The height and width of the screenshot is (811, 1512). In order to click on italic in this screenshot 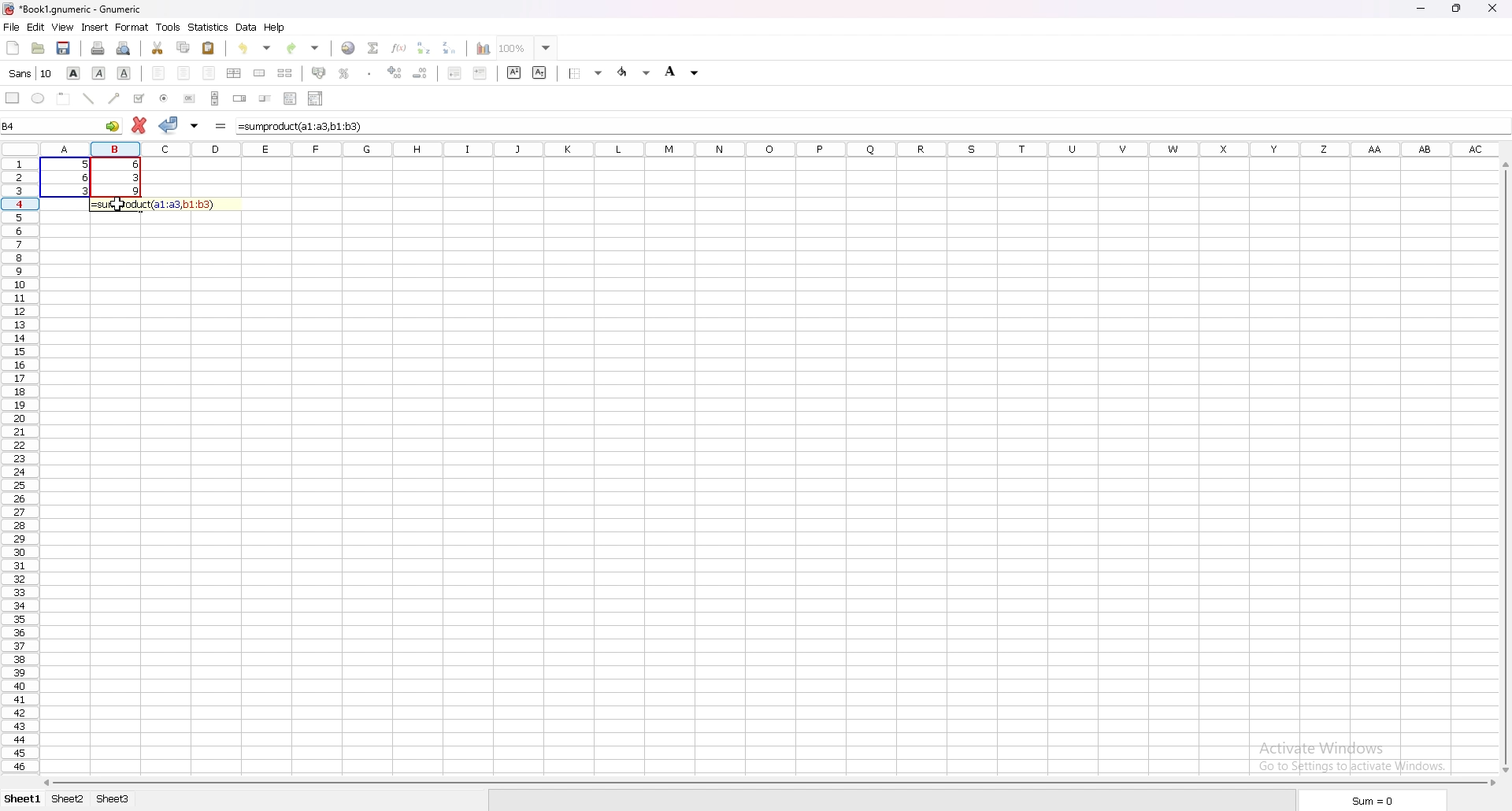, I will do `click(98, 74)`.